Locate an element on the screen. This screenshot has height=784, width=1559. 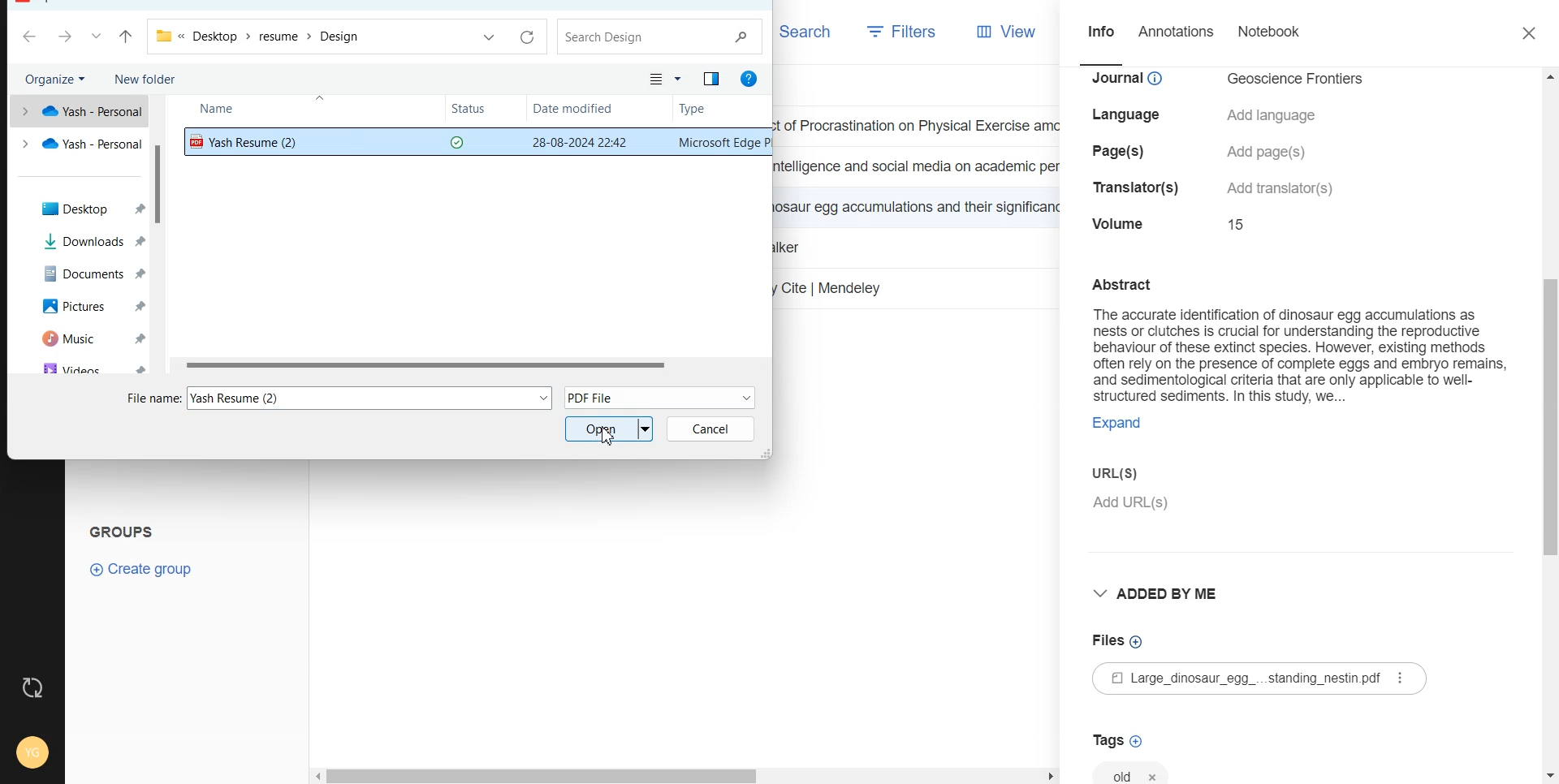
Download is located at coordinates (80, 242).